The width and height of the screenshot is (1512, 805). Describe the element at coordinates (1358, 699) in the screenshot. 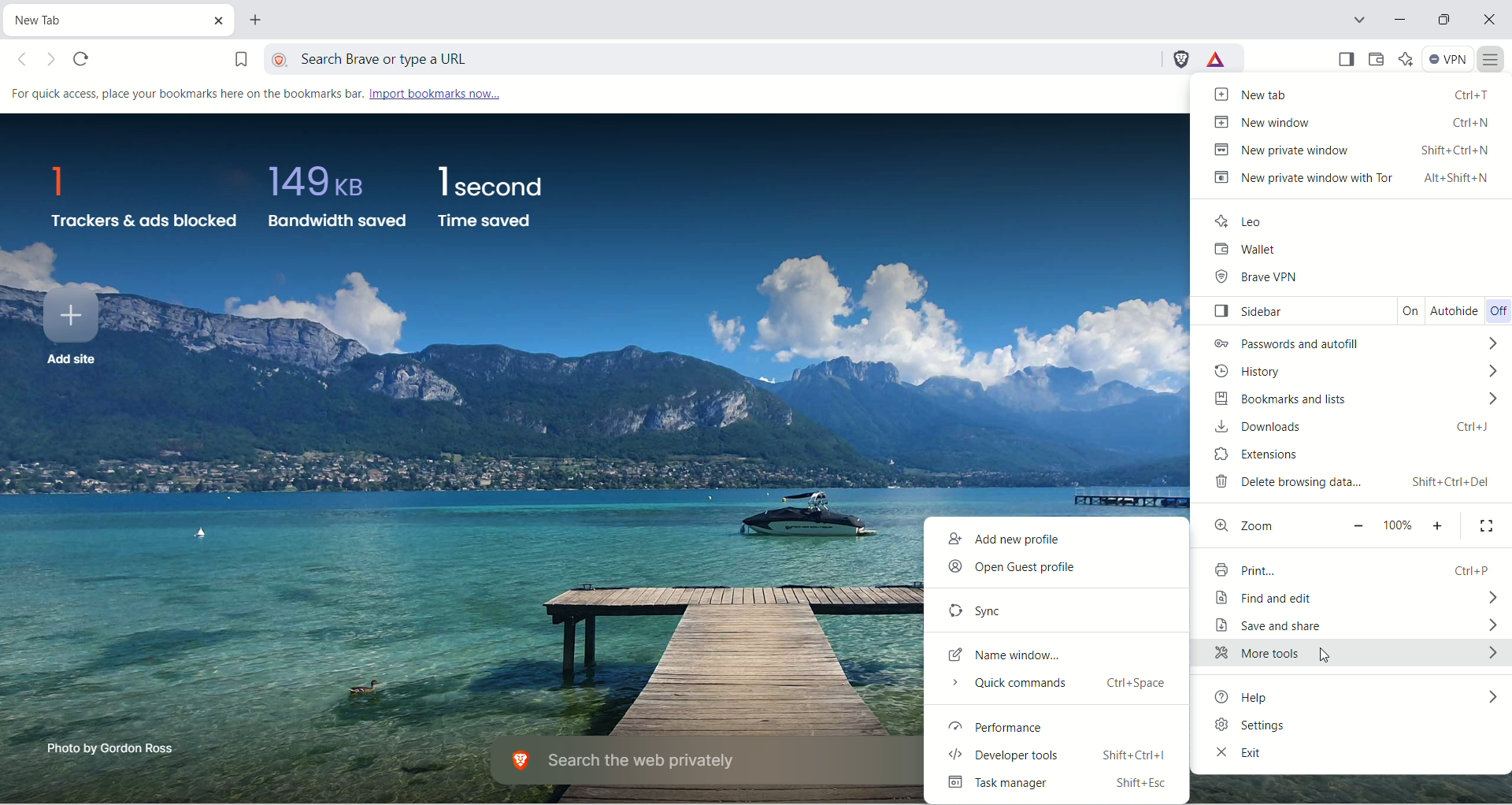

I see `help` at that location.